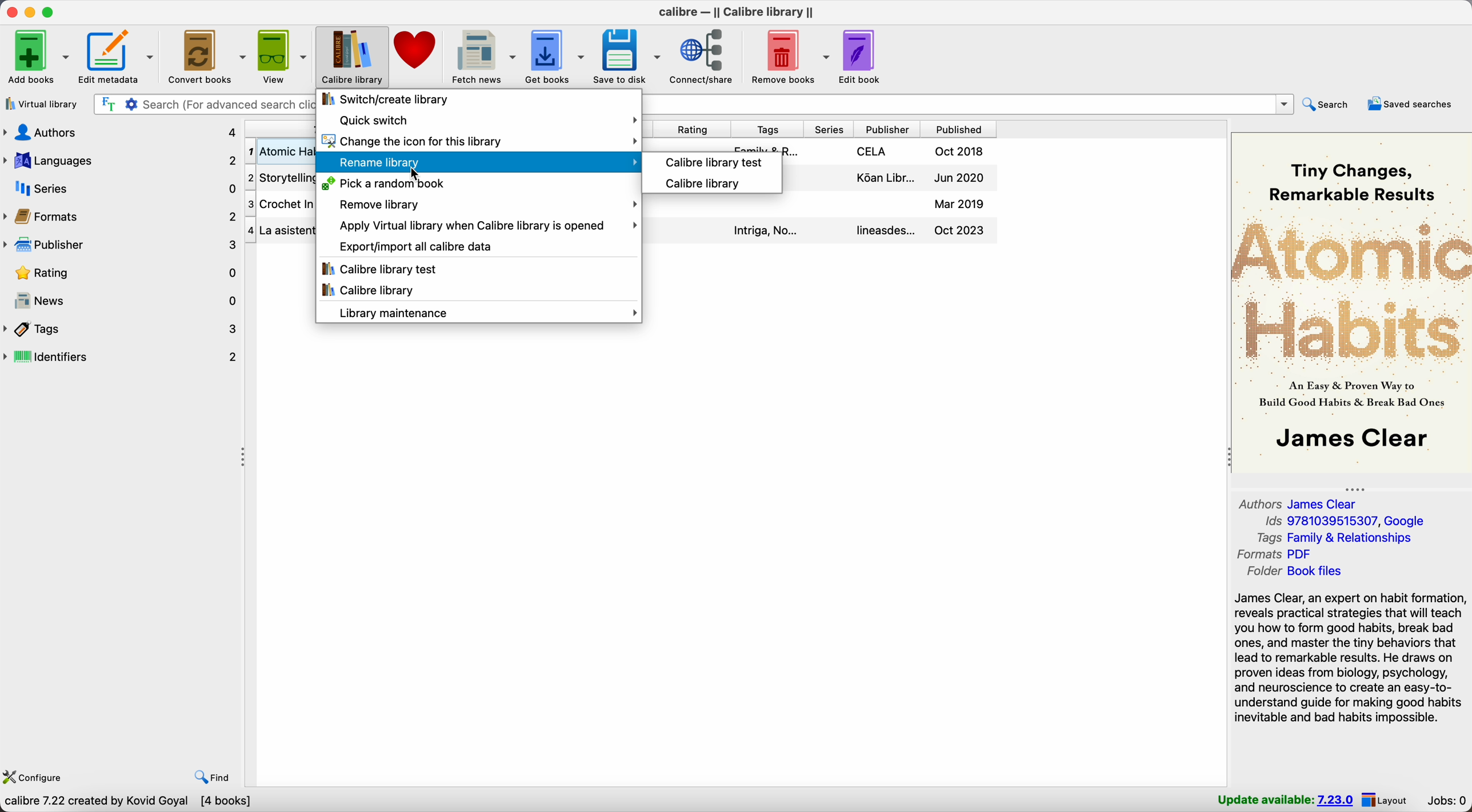 This screenshot has width=1472, height=812. I want to click on saved searches, so click(1410, 105).